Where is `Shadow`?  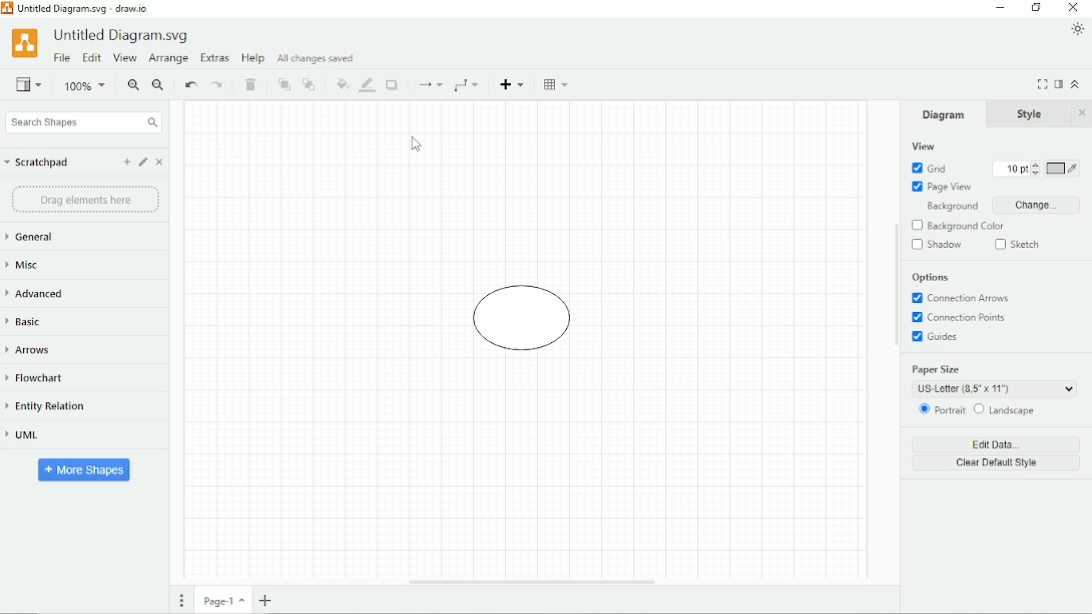 Shadow is located at coordinates (395, 85).